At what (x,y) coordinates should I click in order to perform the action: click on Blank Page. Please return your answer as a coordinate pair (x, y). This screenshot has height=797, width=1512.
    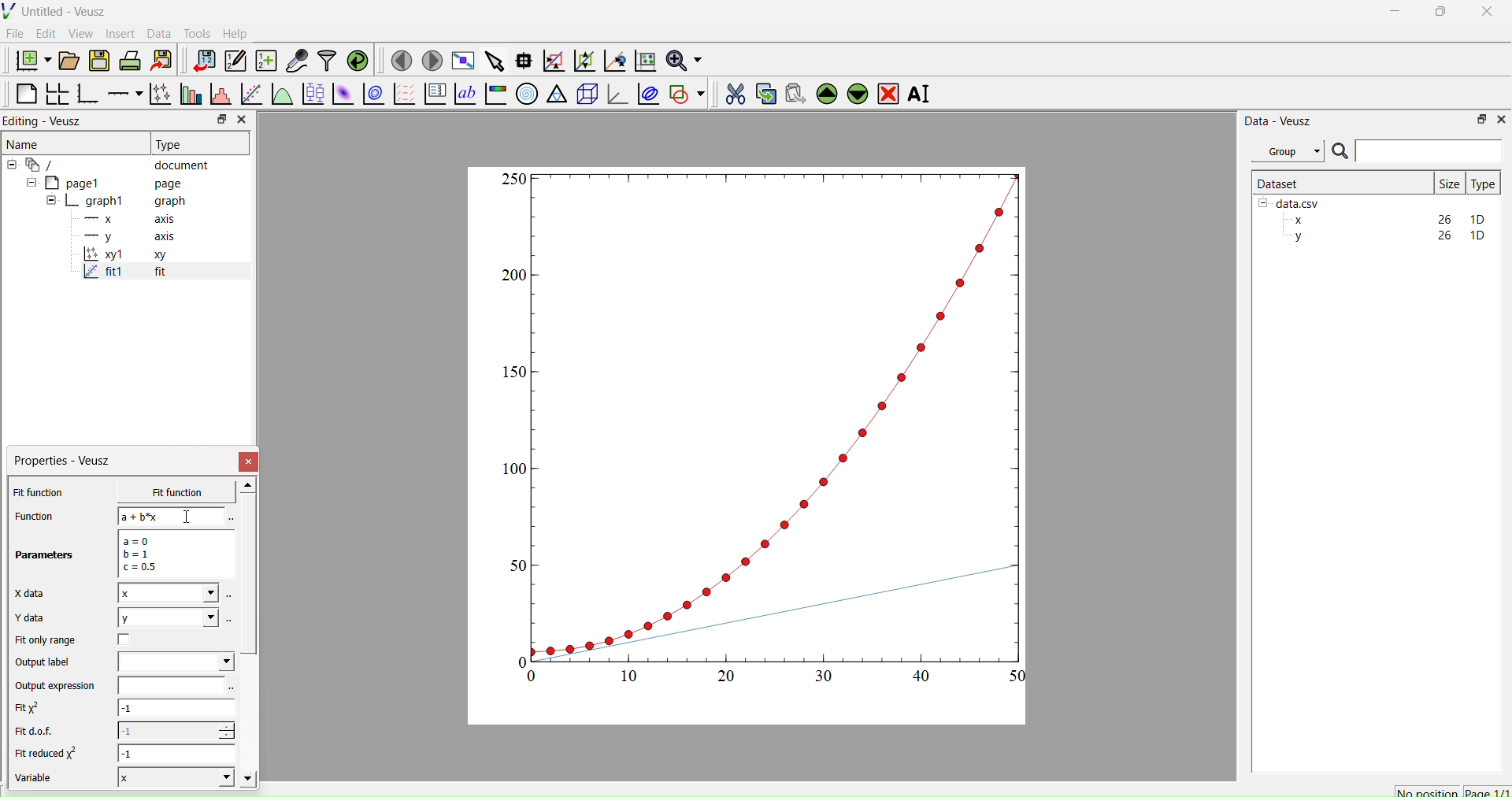
    Looking at the image, I should click on (26, 94).